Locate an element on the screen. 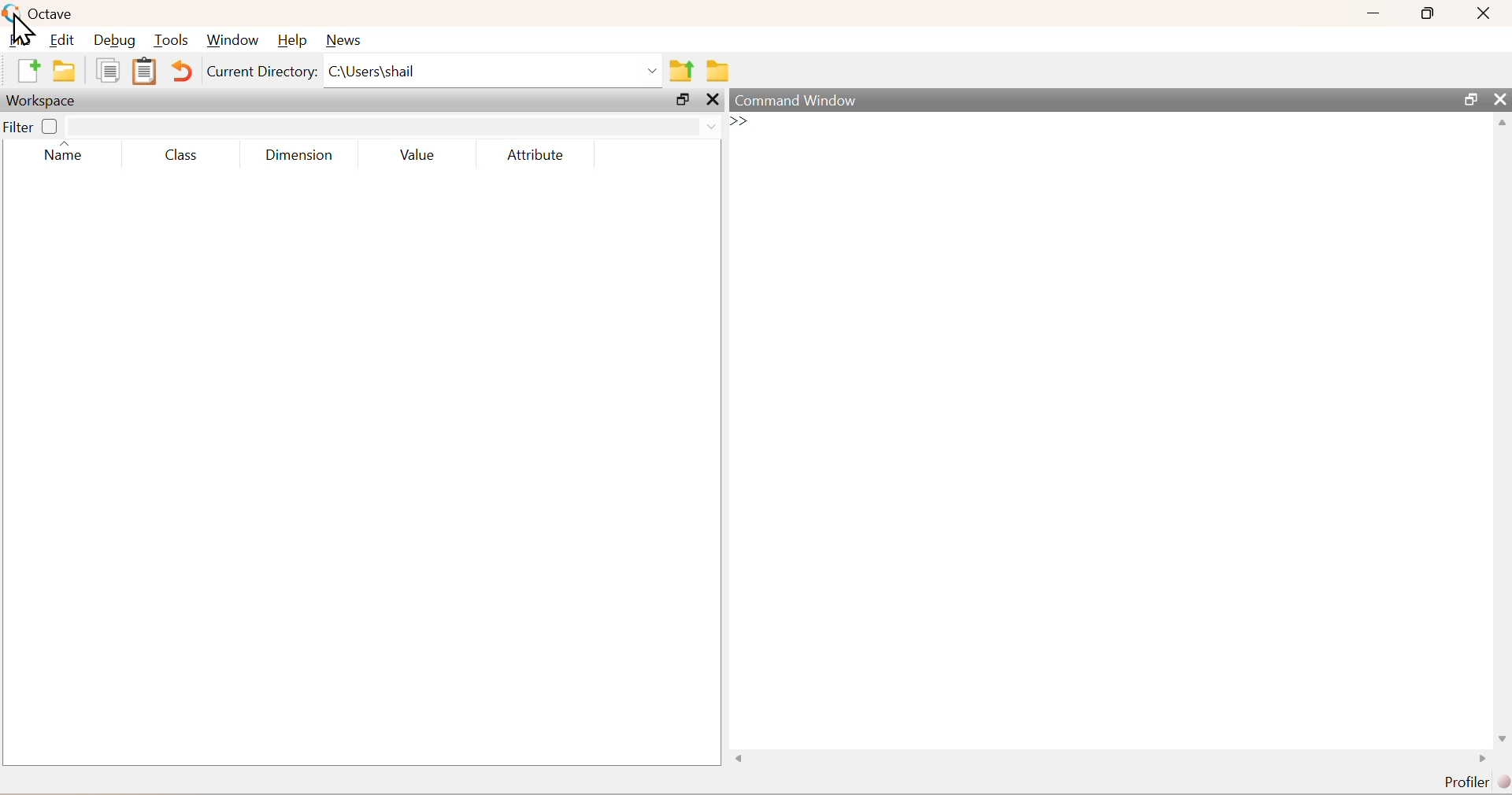 The image size is (1512, 795). Tools is located at coordinates (172, 40).